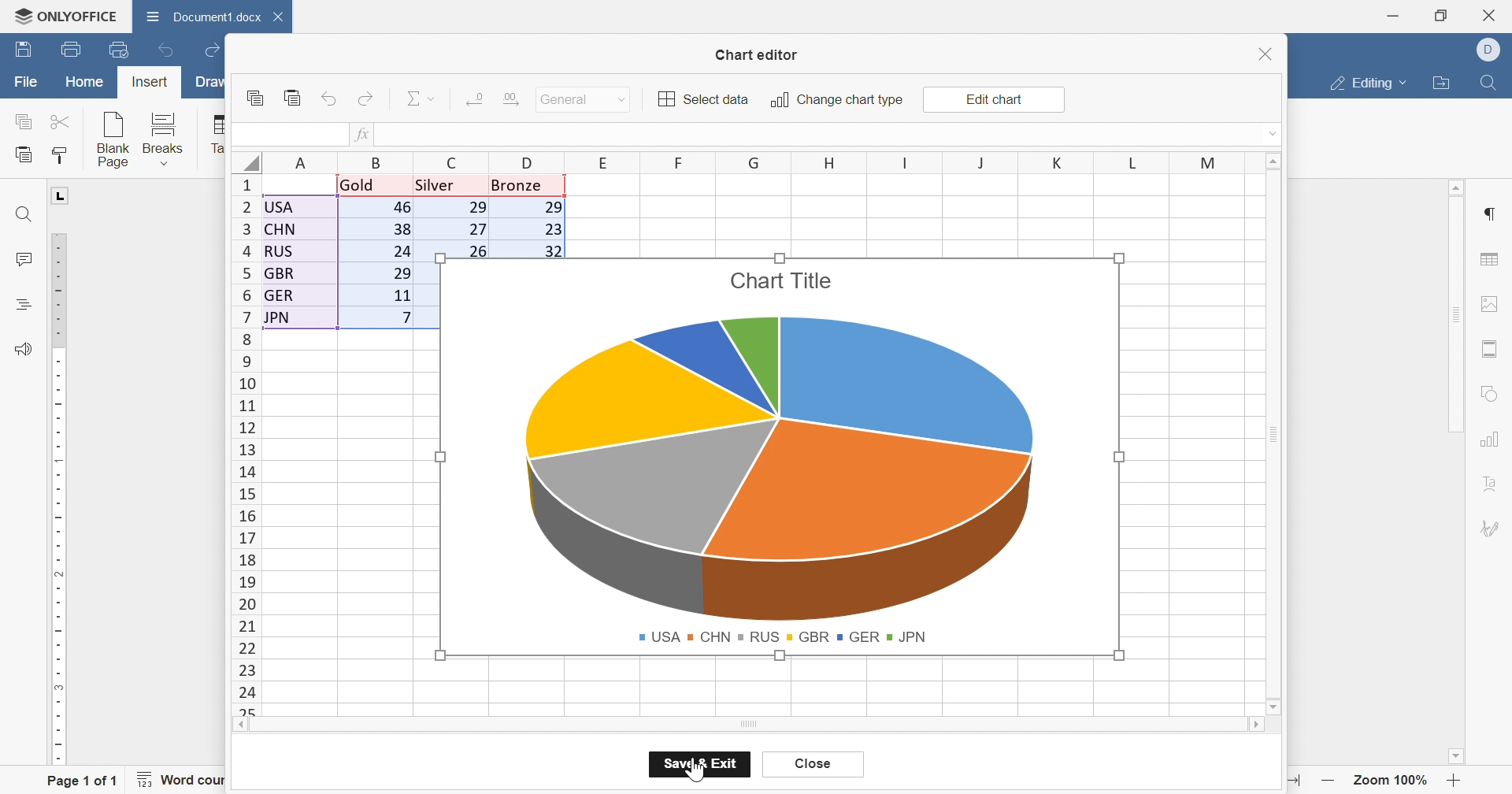 This screenshot has width=1512, height=794. What do you see at coordinates (282, 296) in the screenshot?
I see `GER` at bounding box center [282, 296].